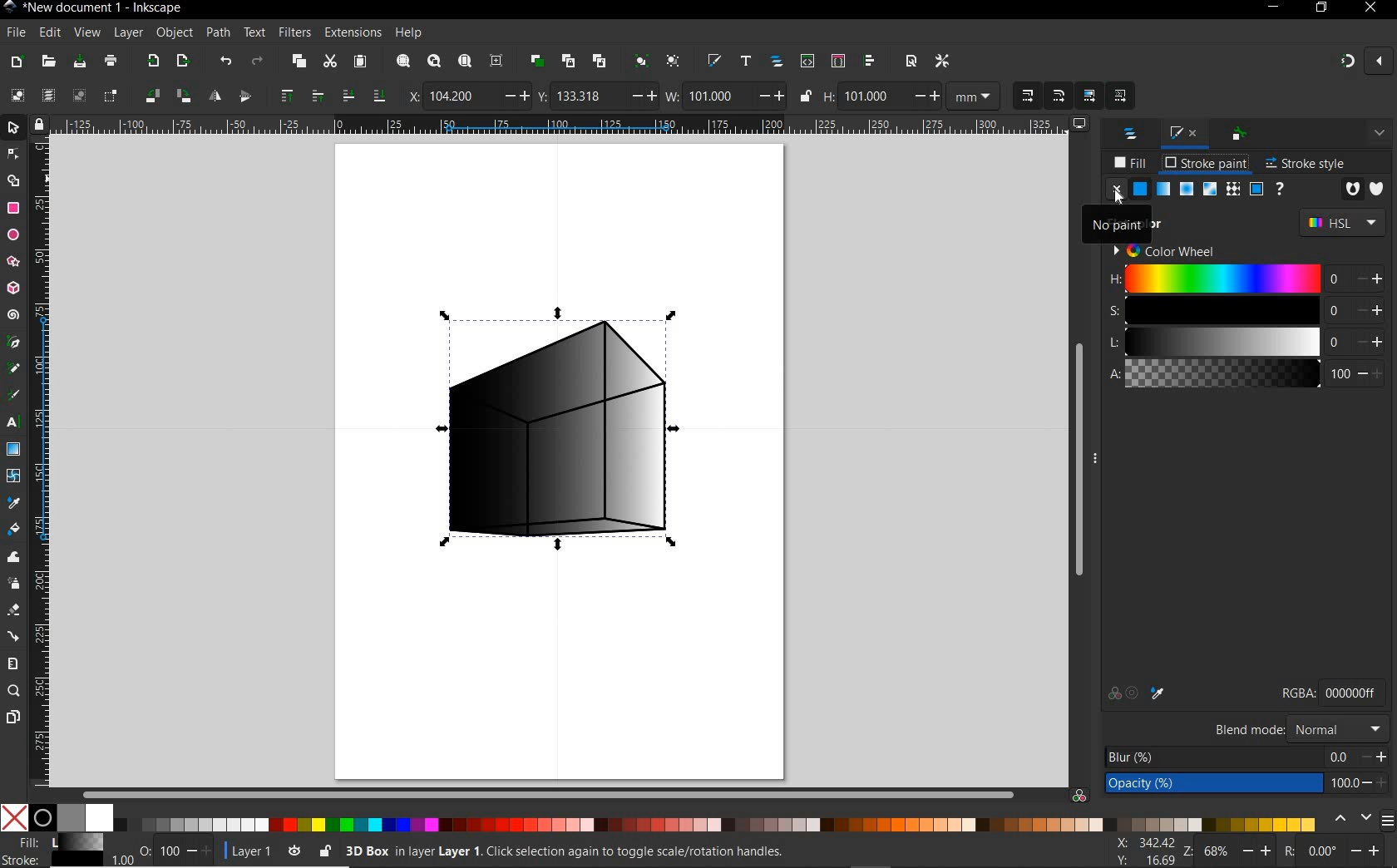 The image size is (1397, 868). I want to click on OBJECT WITH STROKE SELECTED, so click(570, 423).